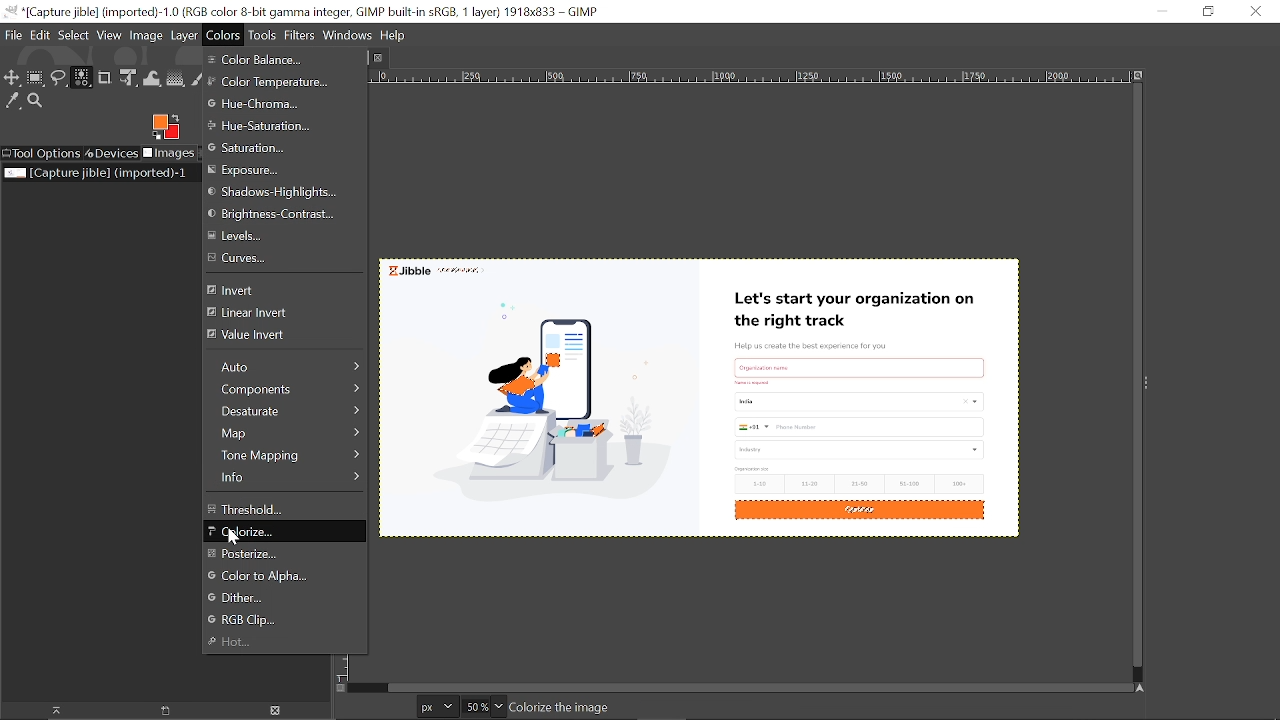  What do you see at coordinates (276, 290) in the screenshot?
I see `Invert` at bounding box center [276, 290].